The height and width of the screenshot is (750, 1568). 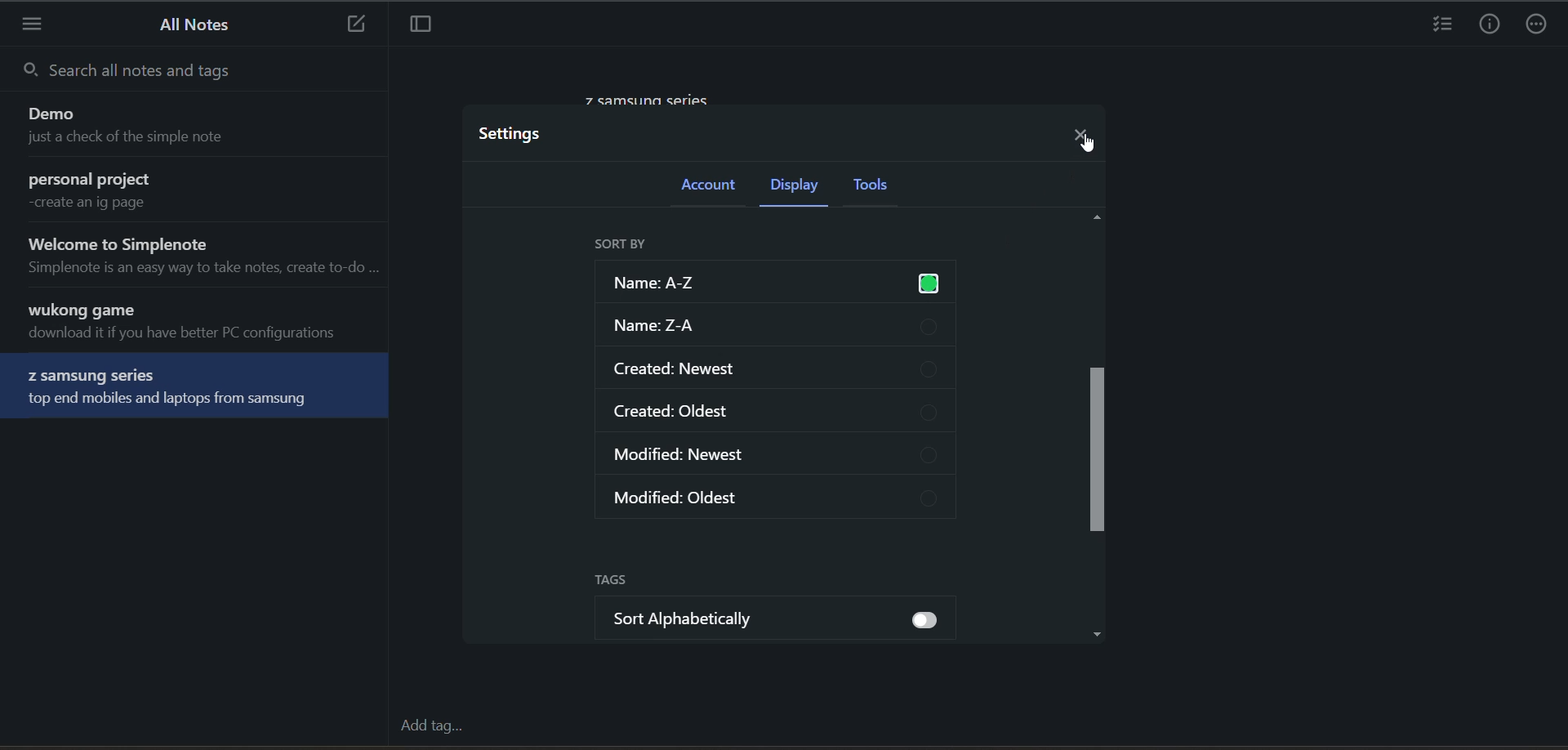 What do you see at coordinates (1490, 25) in the screenshot?
I see `info` at bounding box center [1490, 25].